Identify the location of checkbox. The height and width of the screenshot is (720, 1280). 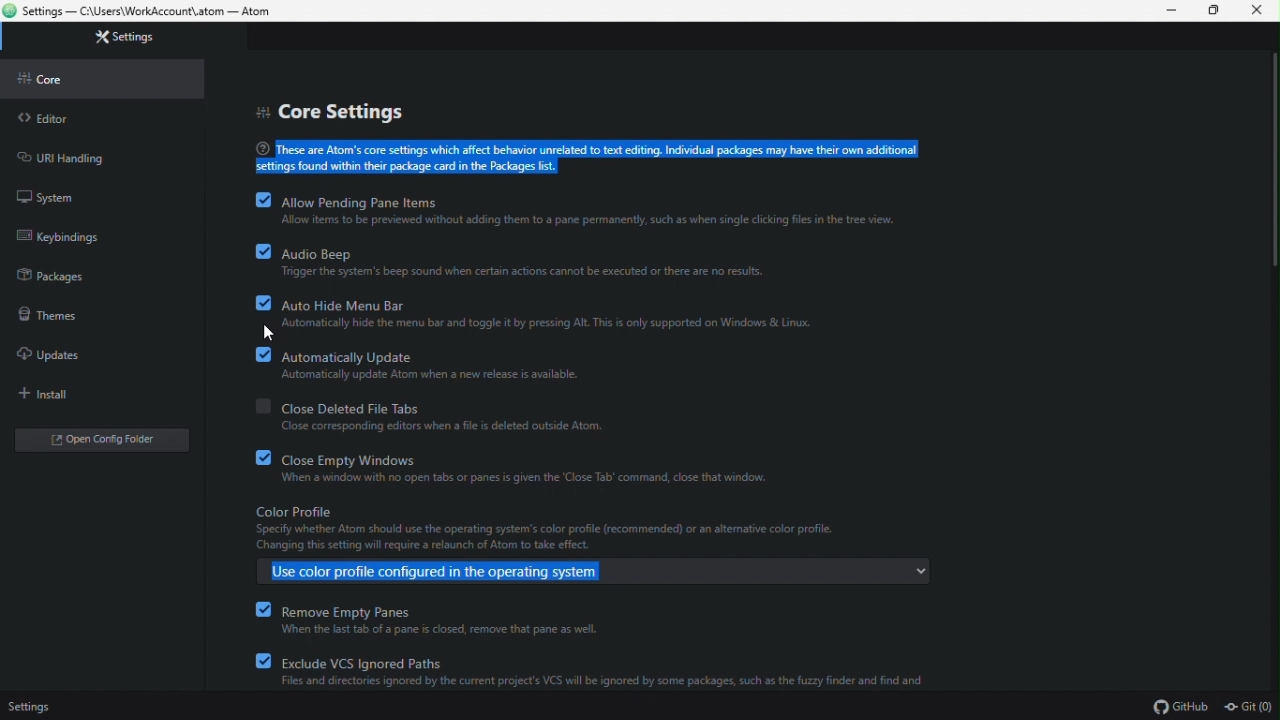
(258, 613).